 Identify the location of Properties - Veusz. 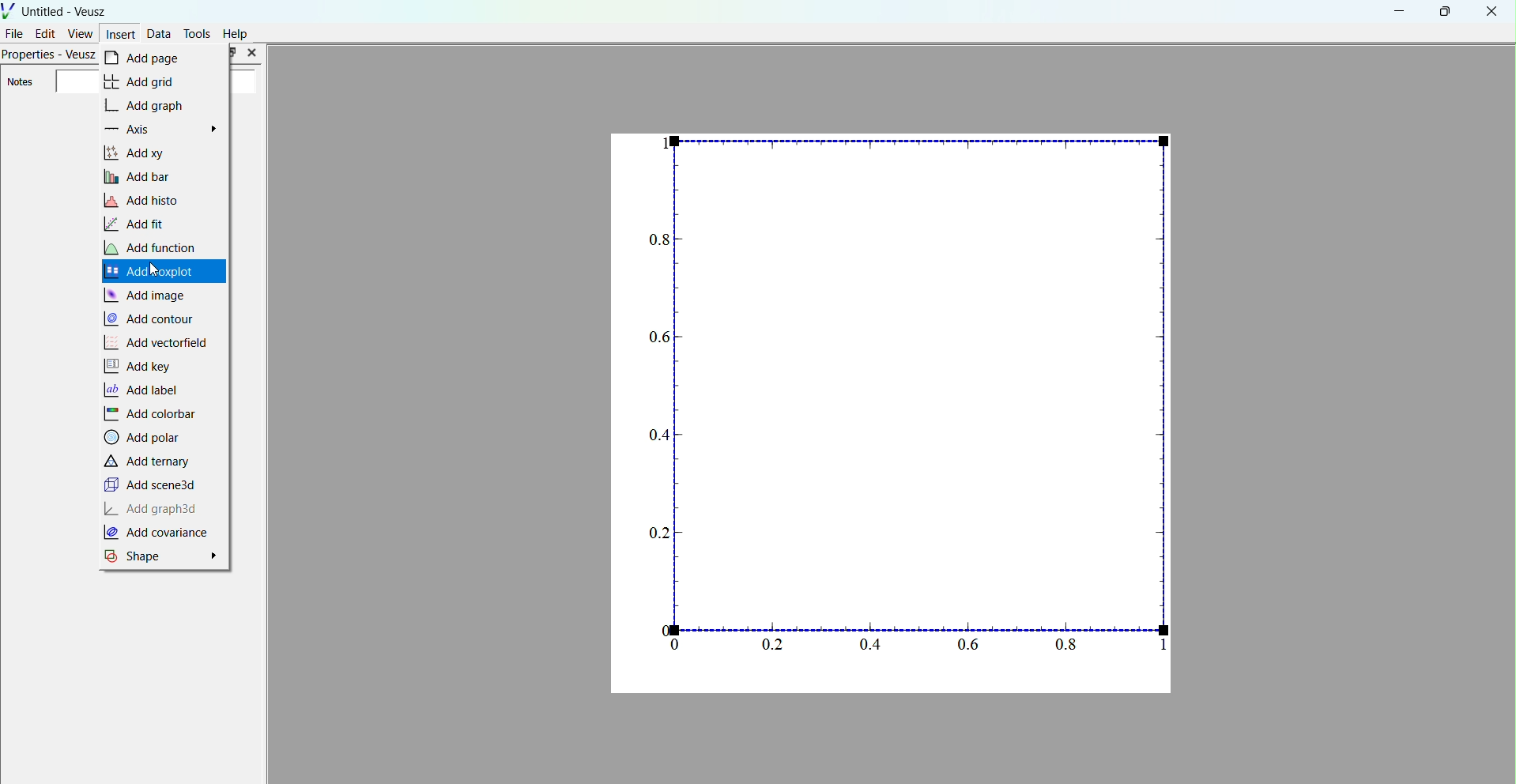
(48, 56).